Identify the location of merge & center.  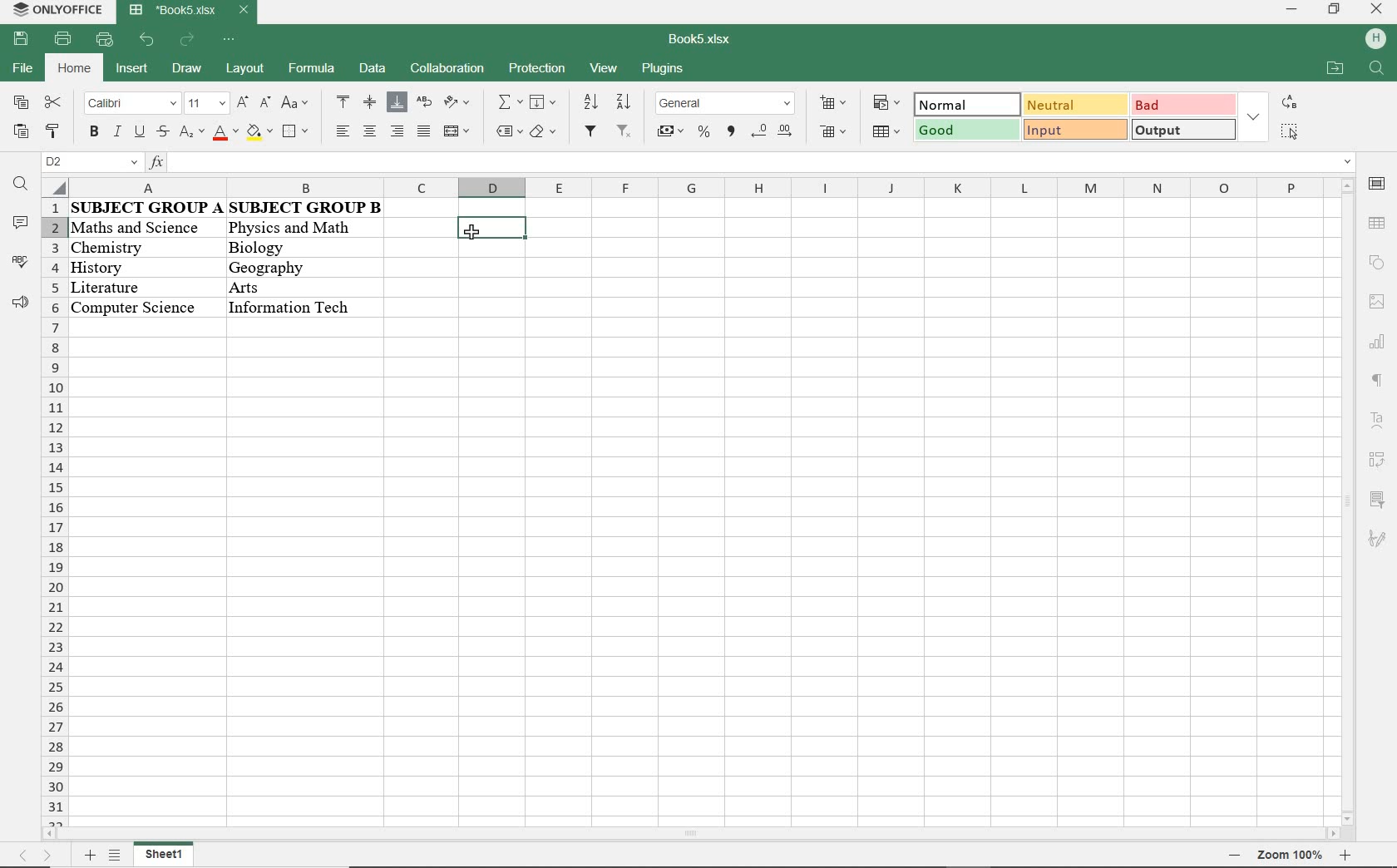
(457, 133).